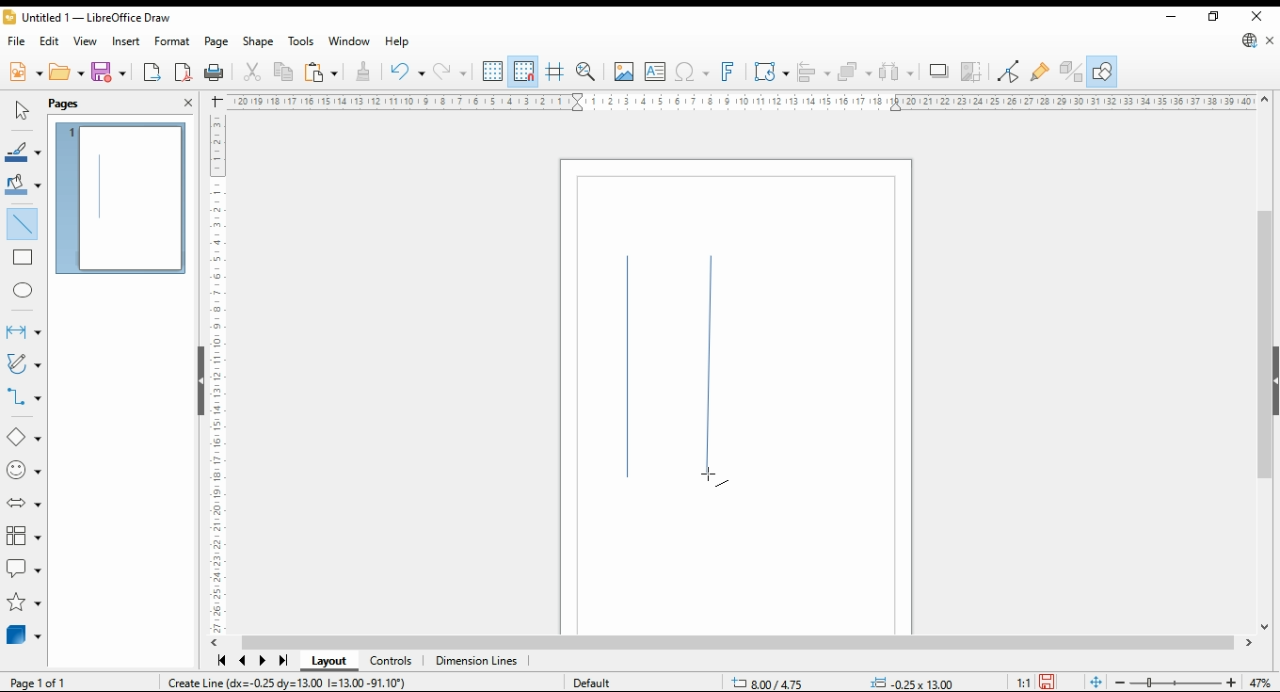  I want to click on controls, so click(393, 663).